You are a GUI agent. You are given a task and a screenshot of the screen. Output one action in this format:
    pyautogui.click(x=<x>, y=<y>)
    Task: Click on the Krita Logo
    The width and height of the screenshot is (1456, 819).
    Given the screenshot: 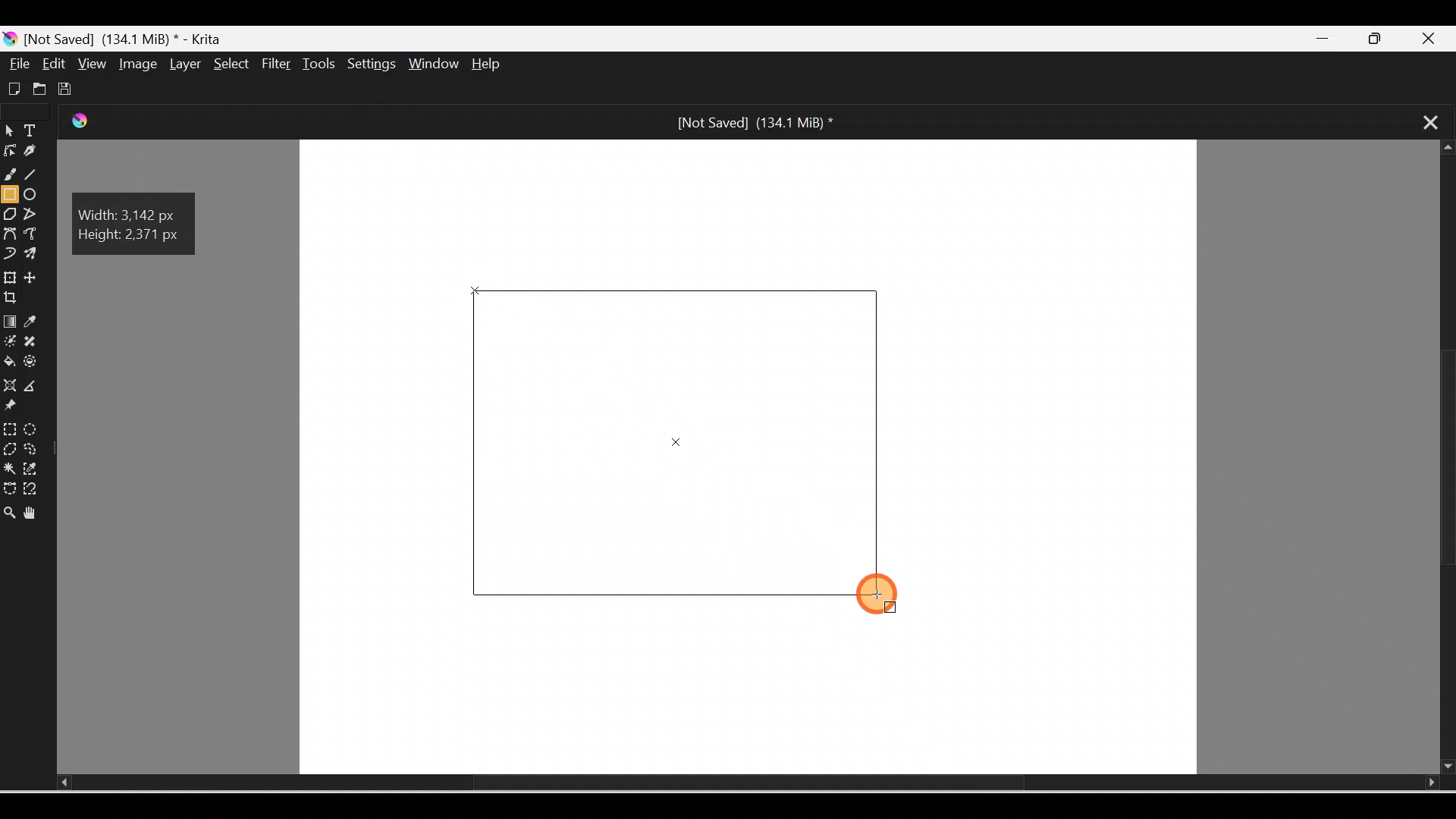 What is the action you would take?
    pyautogui.click(x=92, y=127)
    